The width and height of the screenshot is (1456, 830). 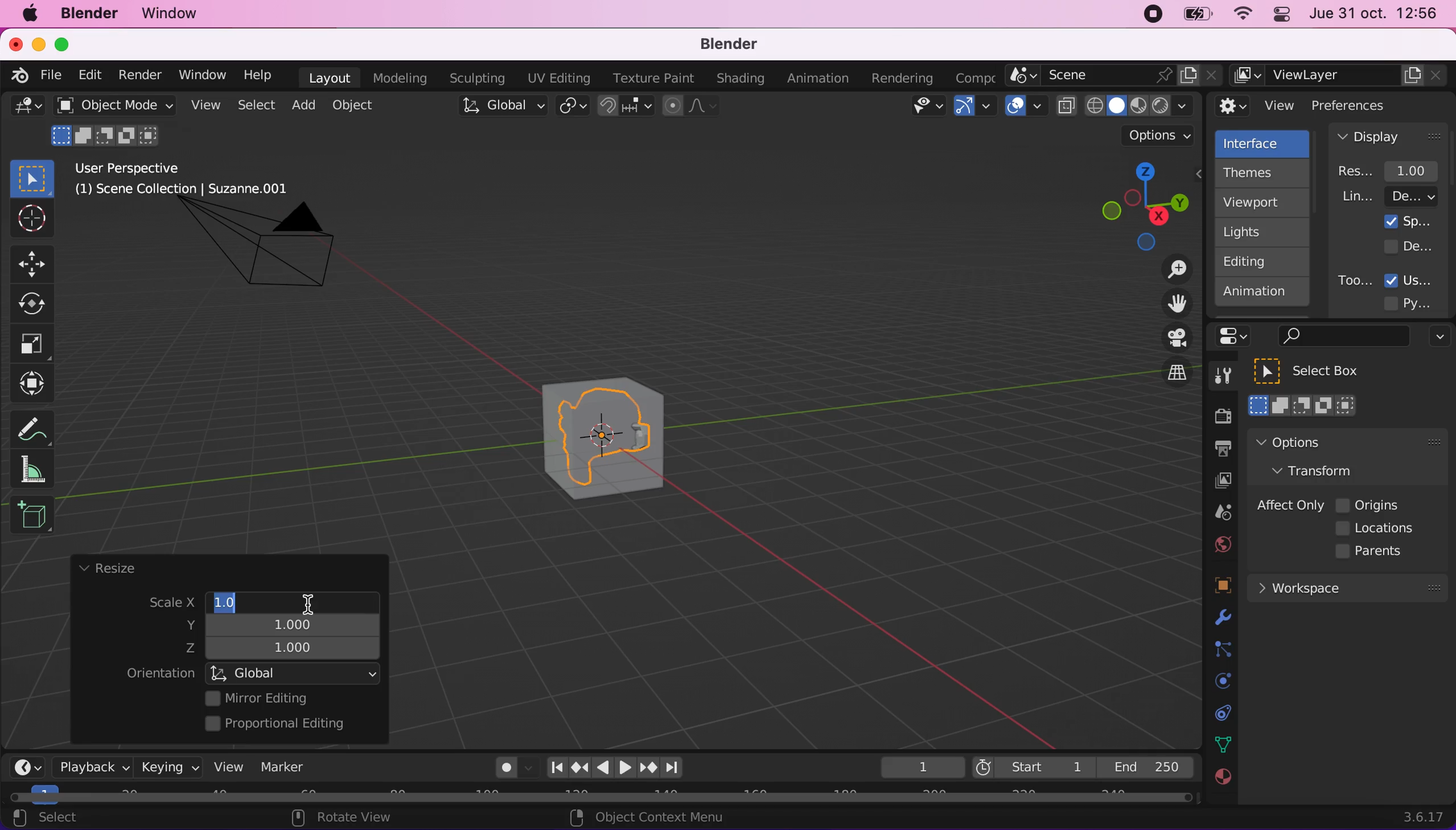 What do you see at coordinates (108, 134) in the screenshot?
I see `mode` at bounding box center [108, 134].